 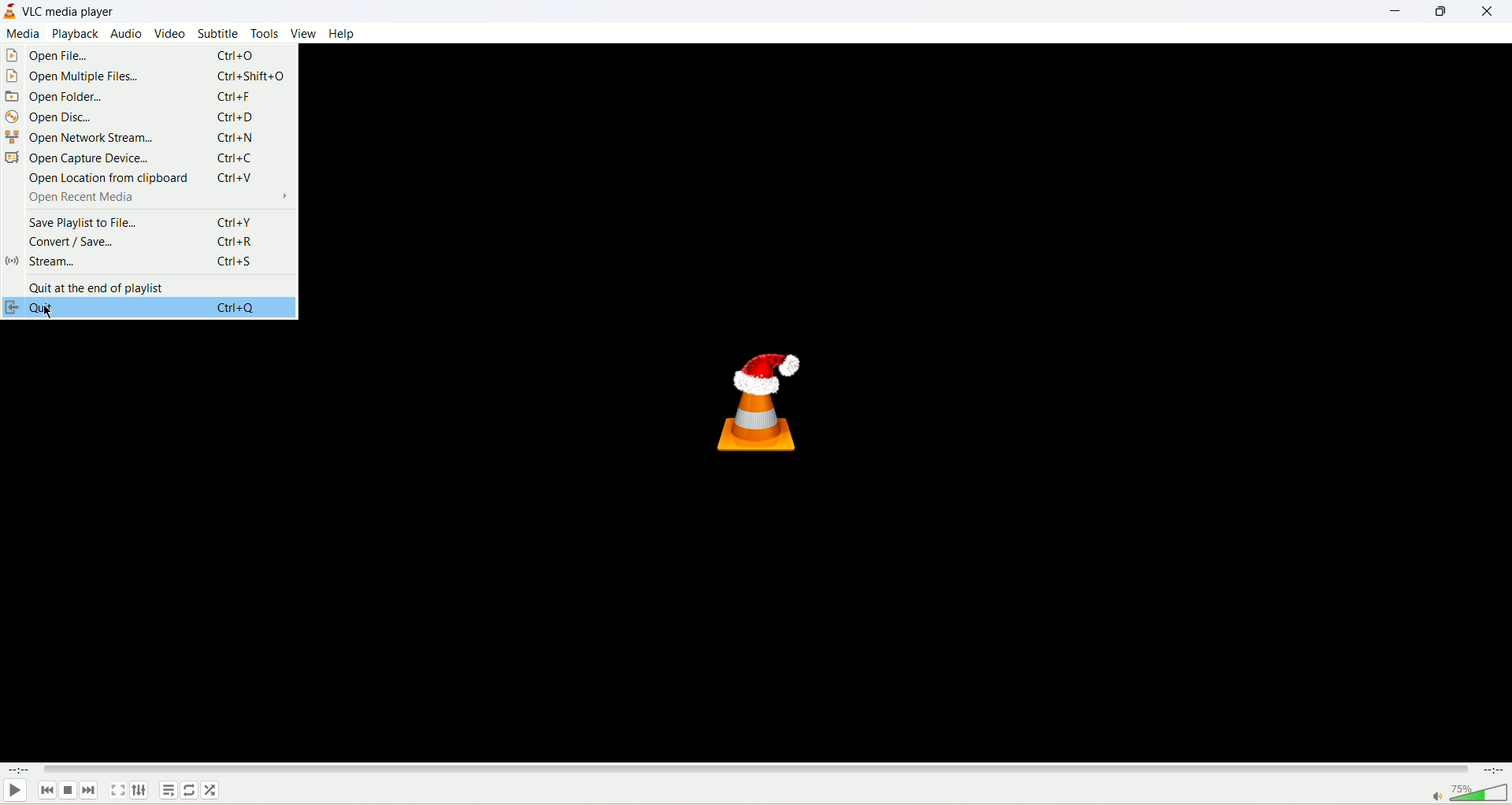 What do you see at coordinates (139, 791) in the screenshot?
I see `extended settings` at bounding box center [139, 791].